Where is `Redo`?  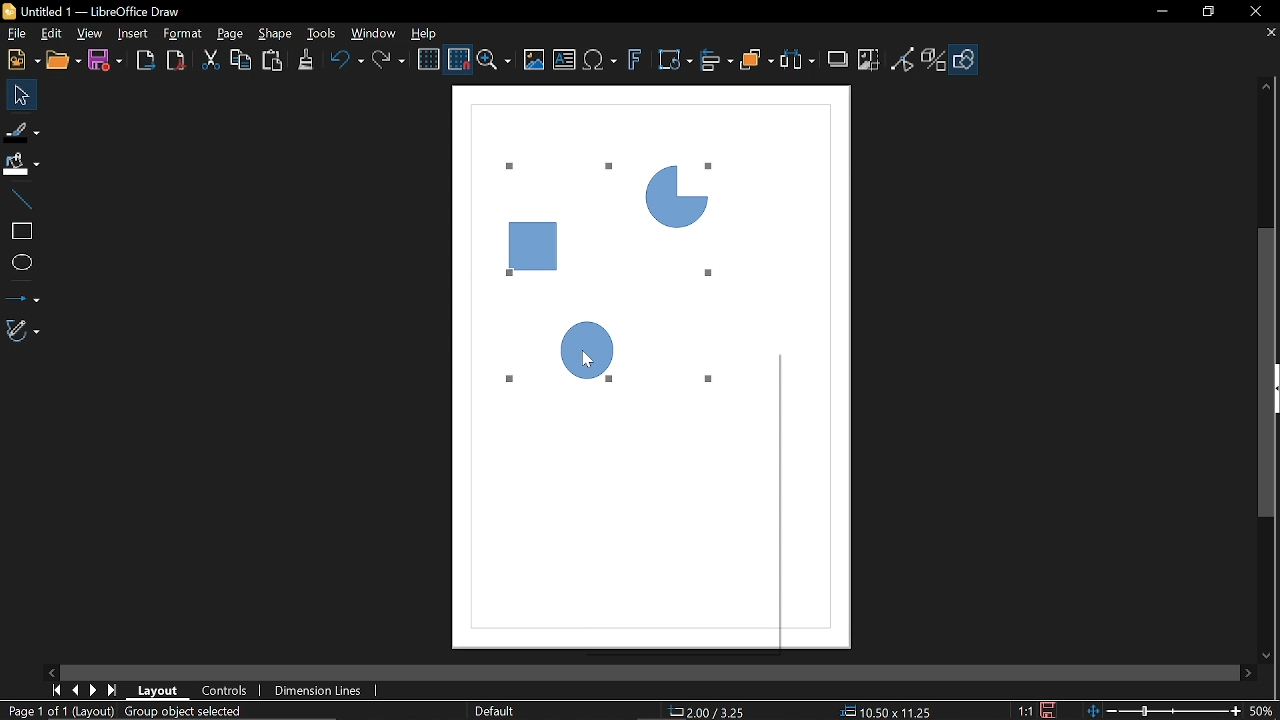 Redo is located at coordinates (390, 61).